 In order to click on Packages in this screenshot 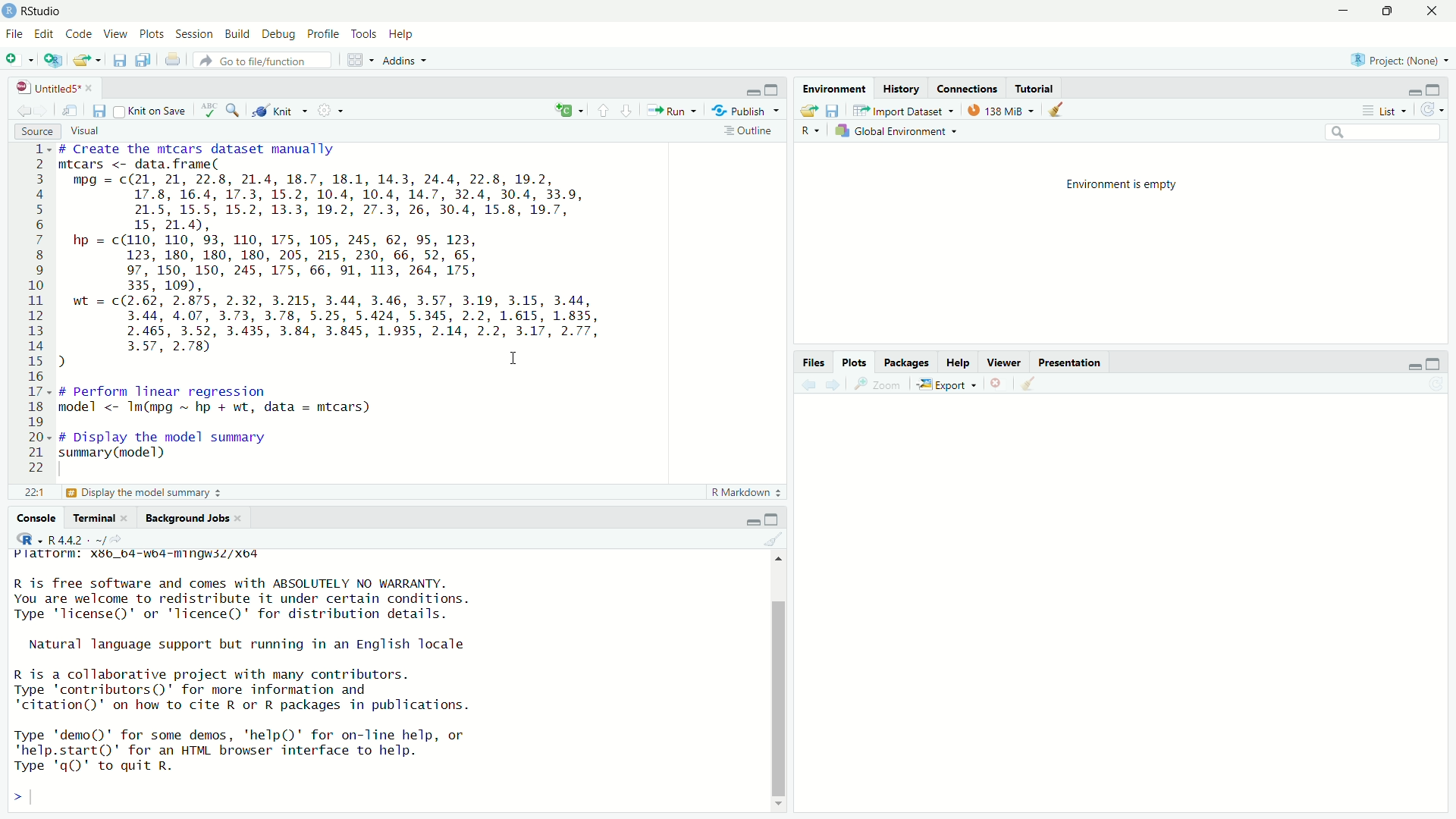, I will do `click(907, 362)`.